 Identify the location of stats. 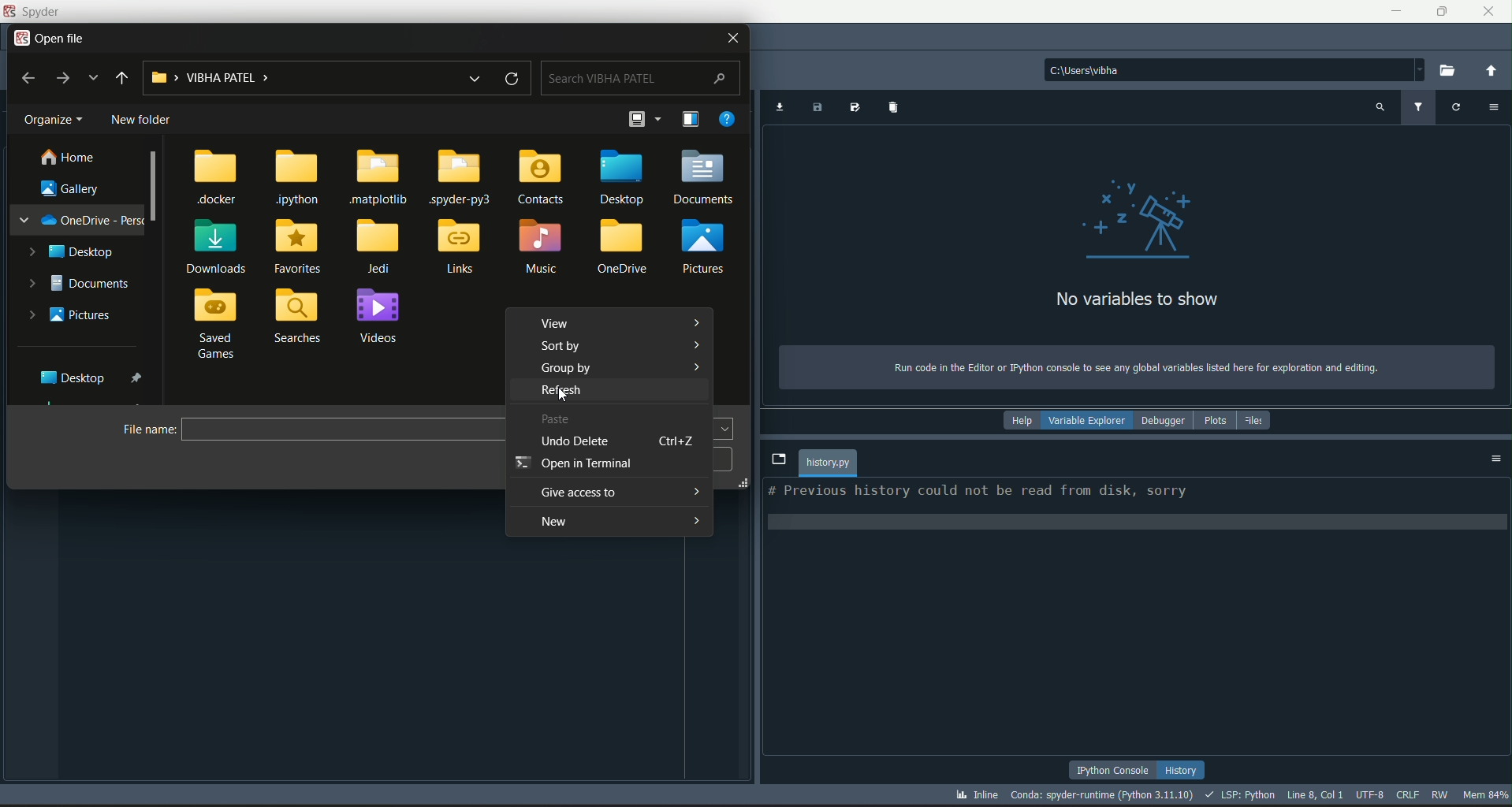
(1231, 796).